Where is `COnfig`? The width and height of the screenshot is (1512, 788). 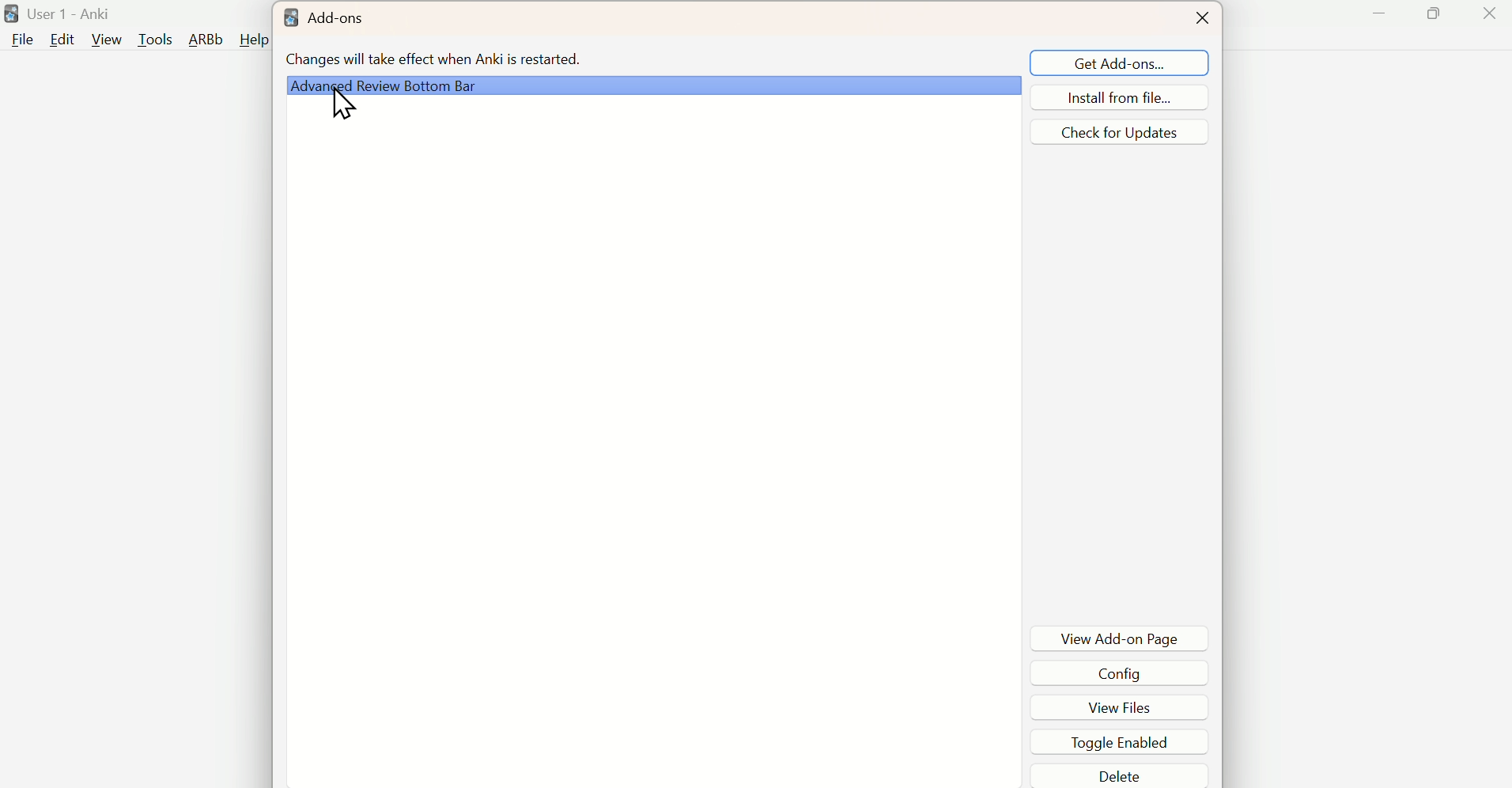
COnfig is located at coordinates (1117, 670).